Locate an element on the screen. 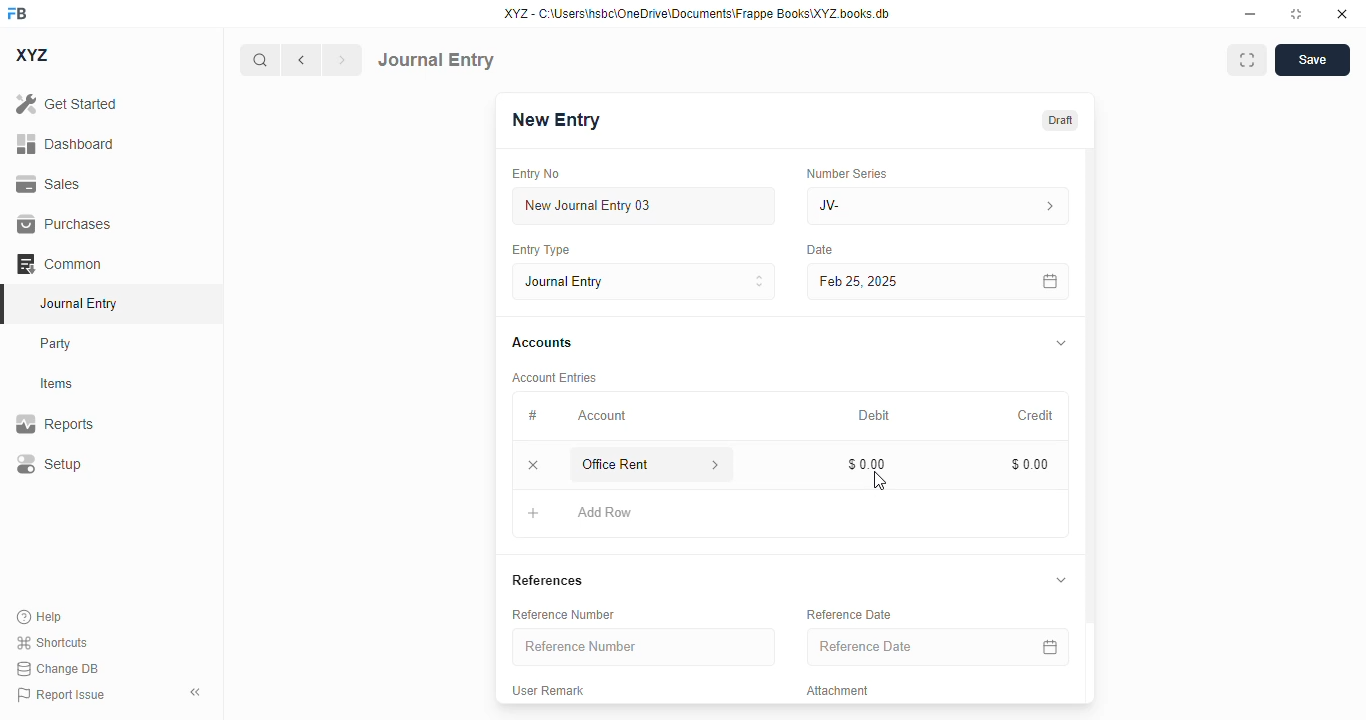 The image size is (1366, 720). toggle between form and full width is located at coordinates (1248, 60).